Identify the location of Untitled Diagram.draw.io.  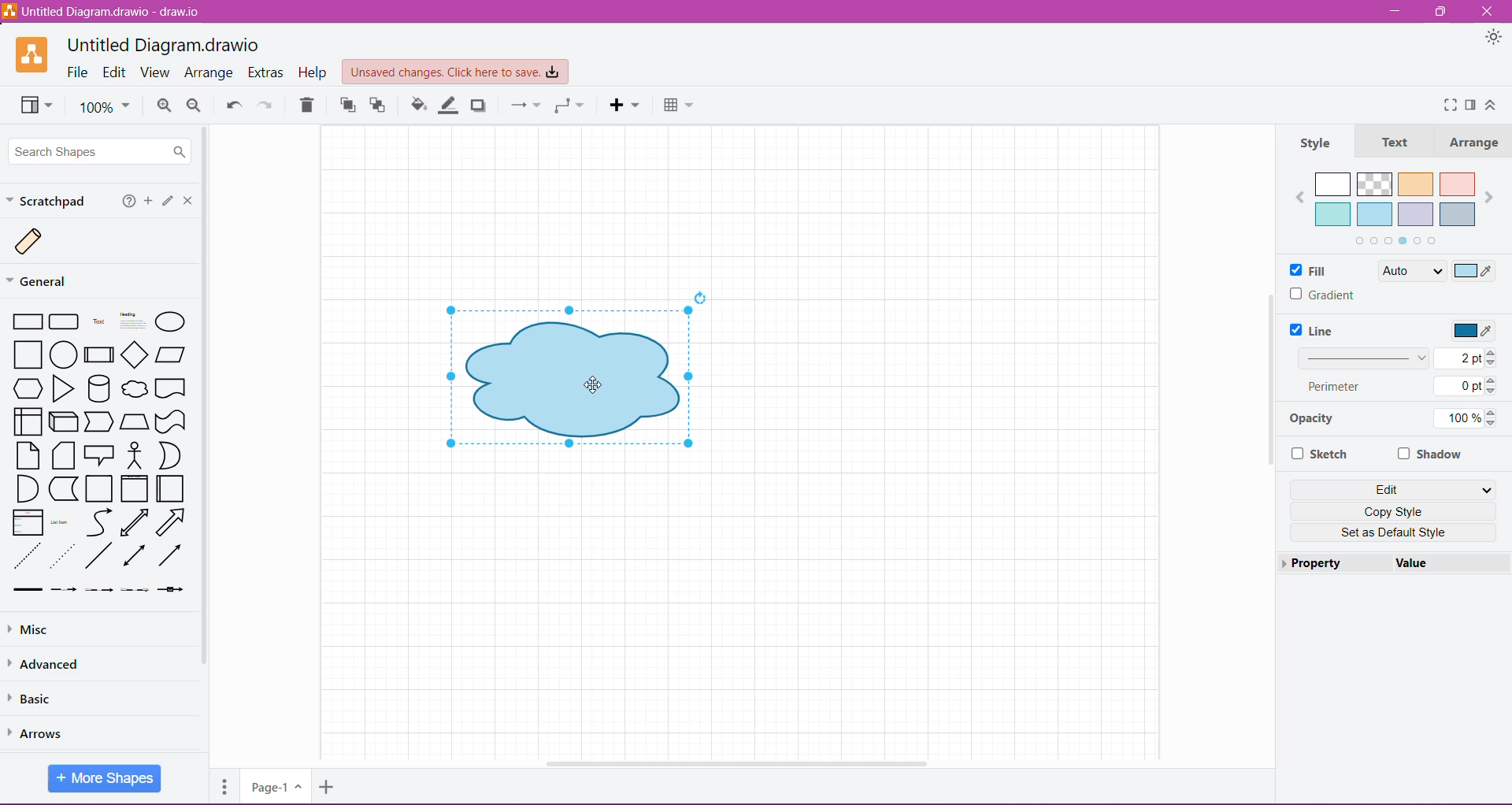
(164, 43).